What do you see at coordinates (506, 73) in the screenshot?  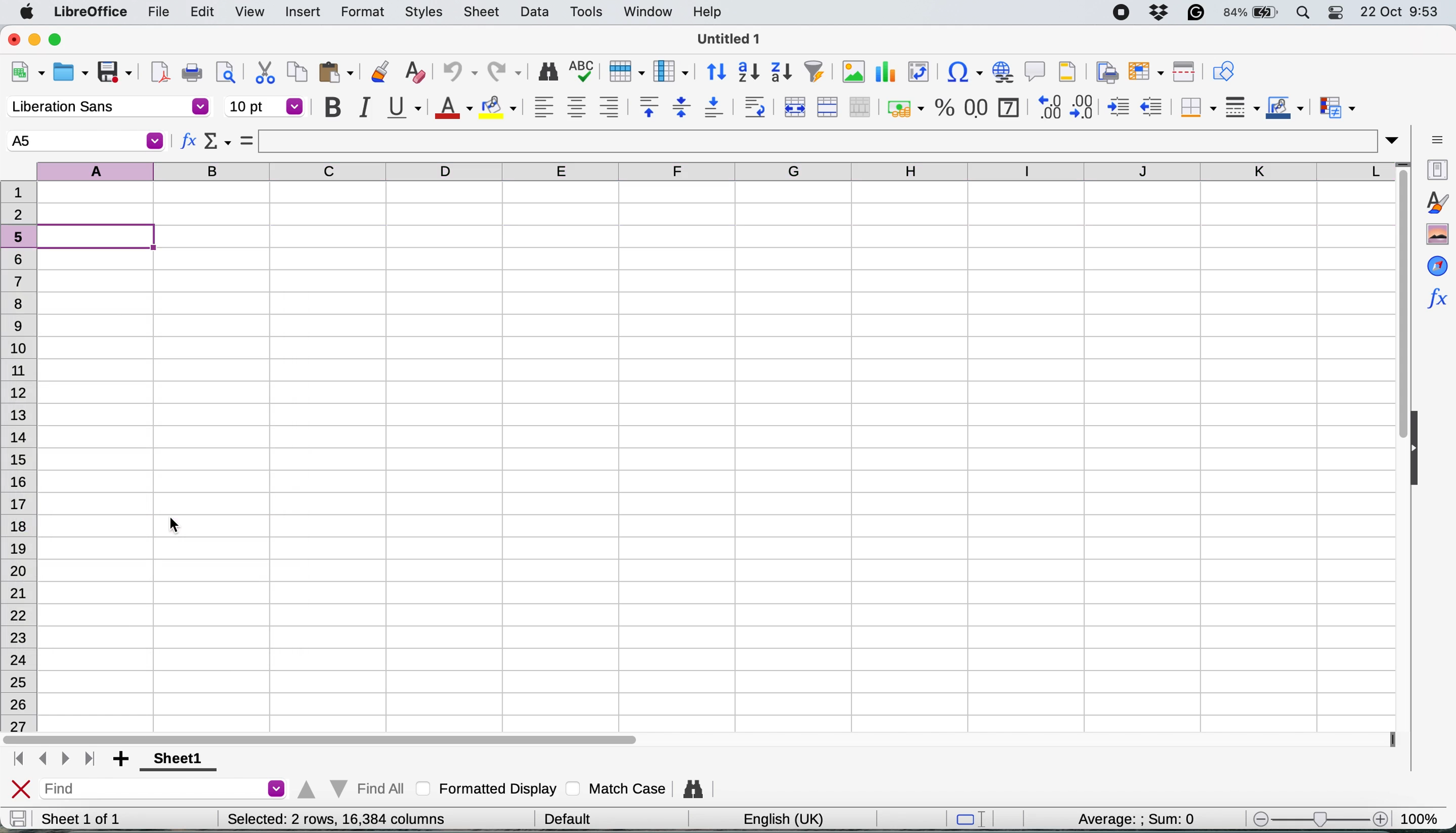 I see `redo` at bounding box center [506, 73].